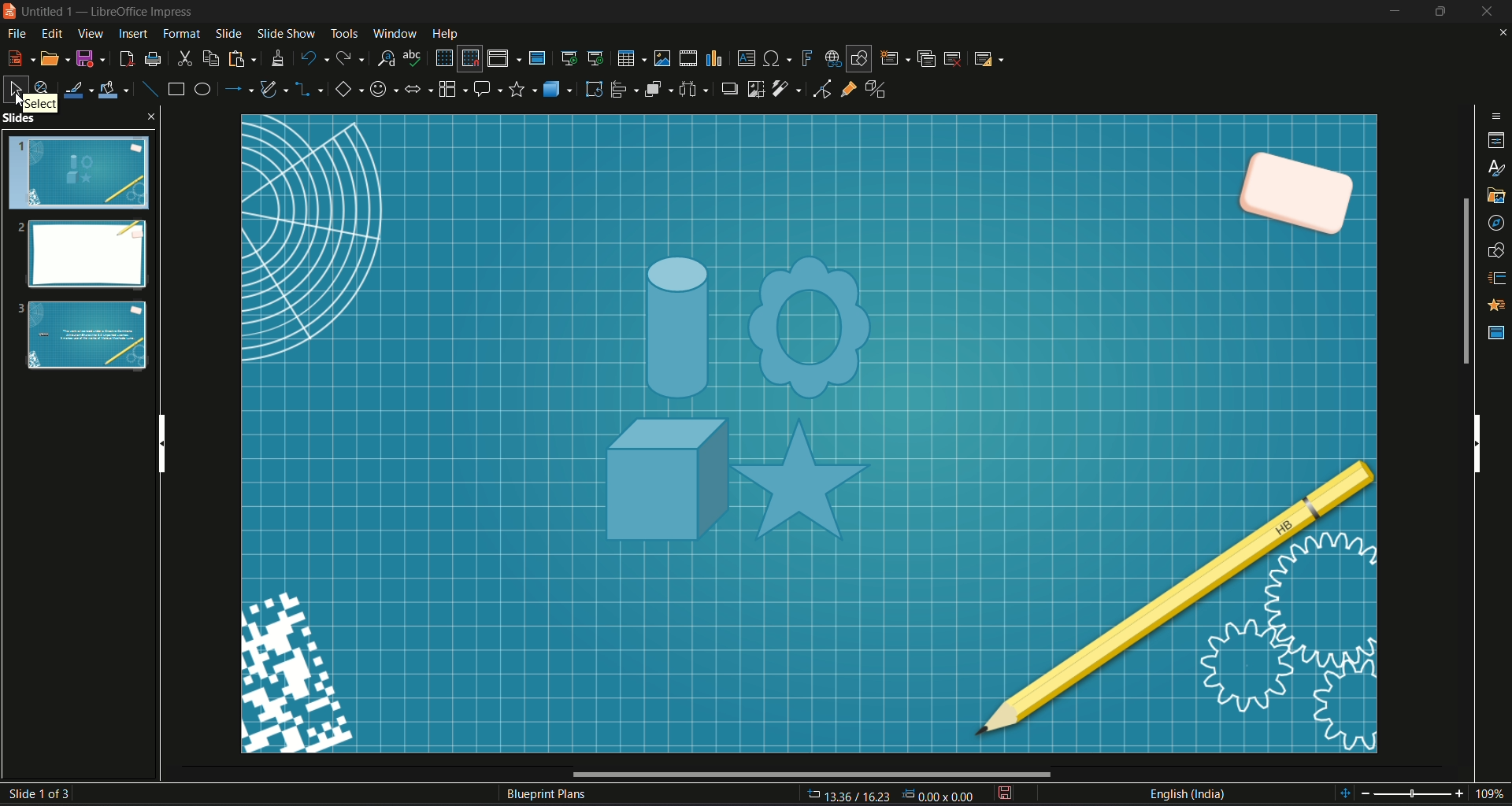 The width and height of the screenshot is (1512, 806). Describe the element at coordinates (443, 57) in the screenshot. I see `display grid` at that location.